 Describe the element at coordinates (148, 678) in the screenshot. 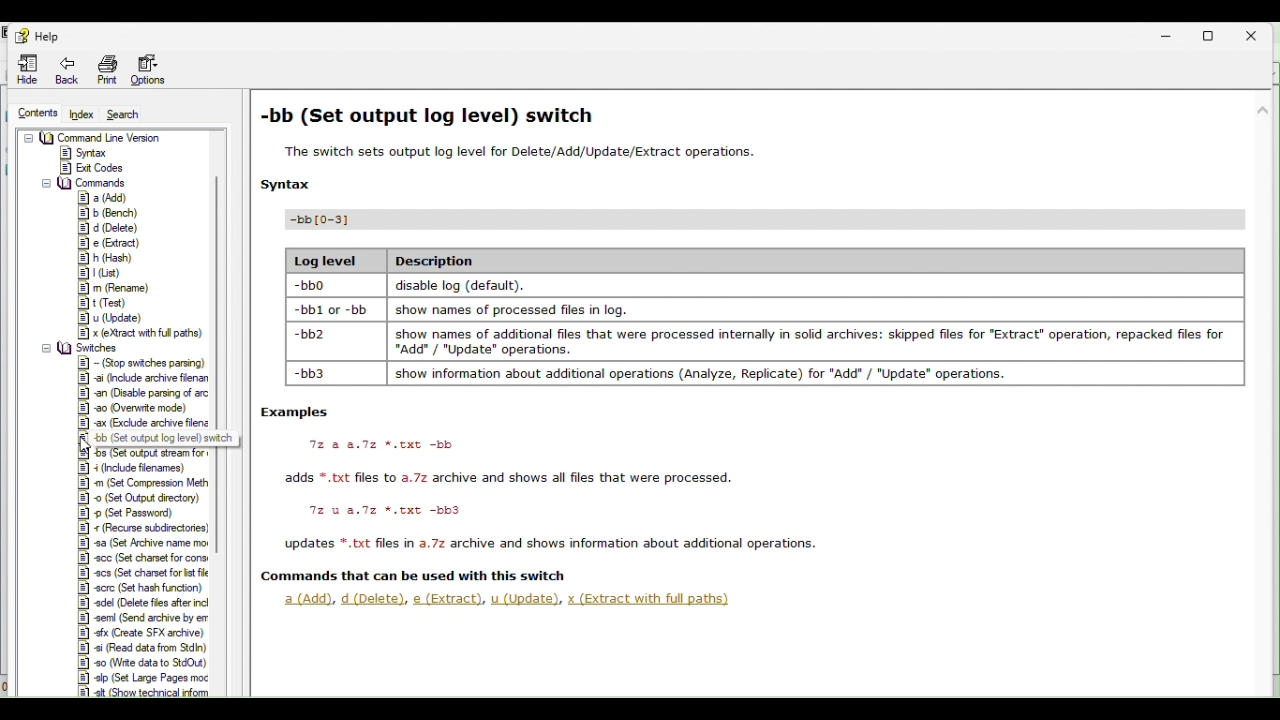

I see `RB] slp (Set Large Pages moc` at that location.